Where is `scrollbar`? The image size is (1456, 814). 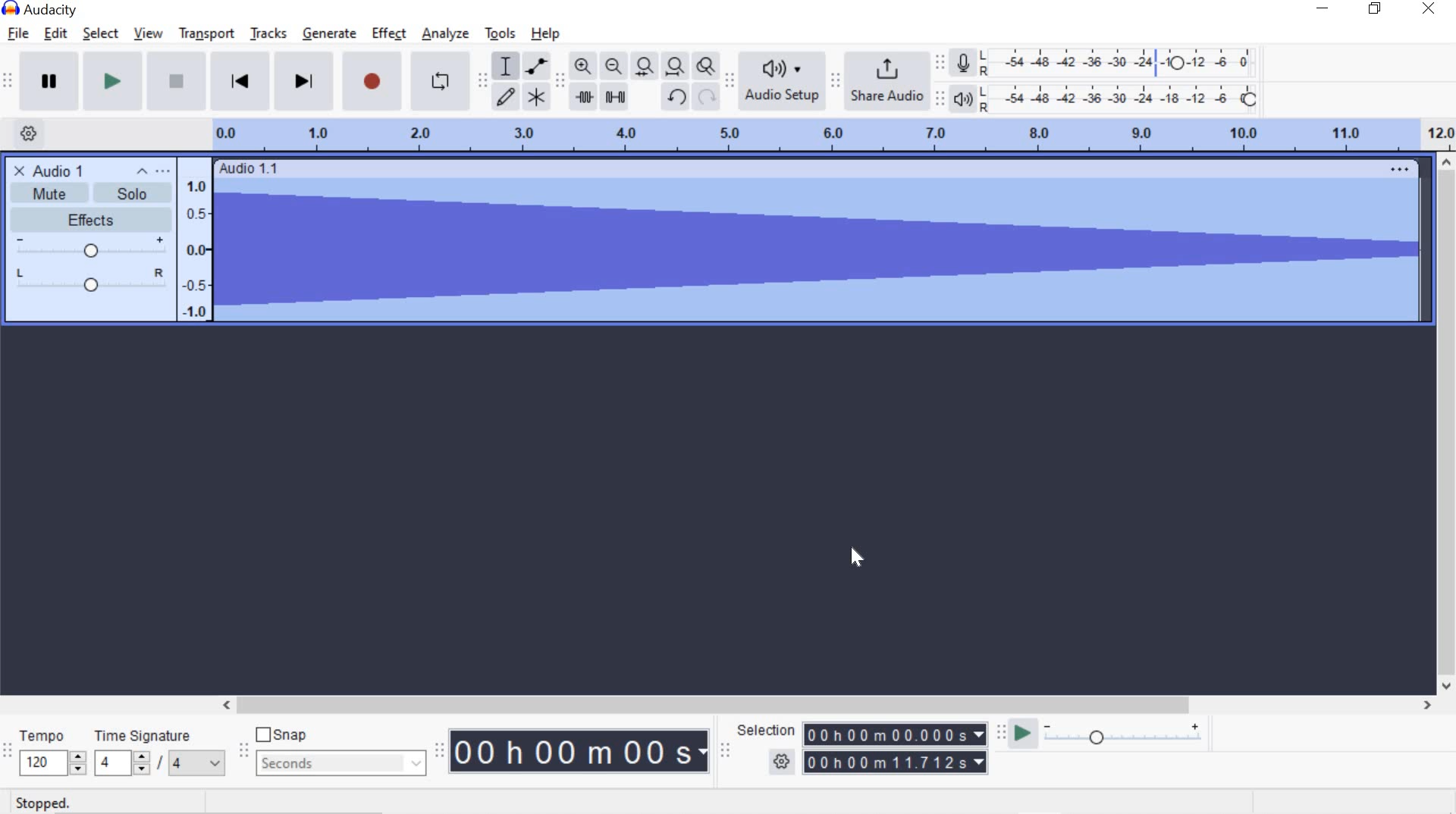
scrollbar is located at coordinates (1443, 423).